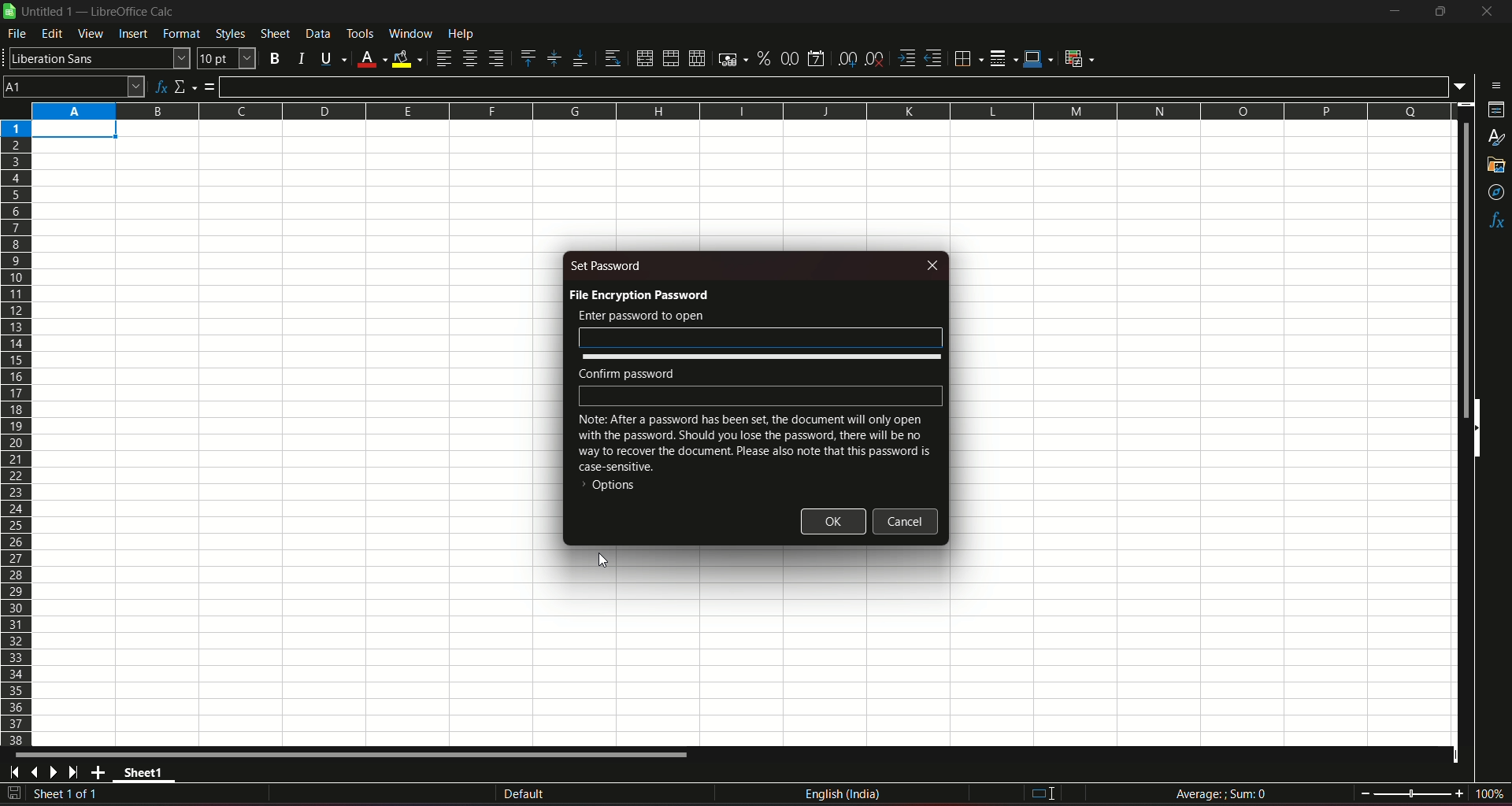 This screenshot has width=1512, height=806. I want to click on Font color, so click(370, 57).